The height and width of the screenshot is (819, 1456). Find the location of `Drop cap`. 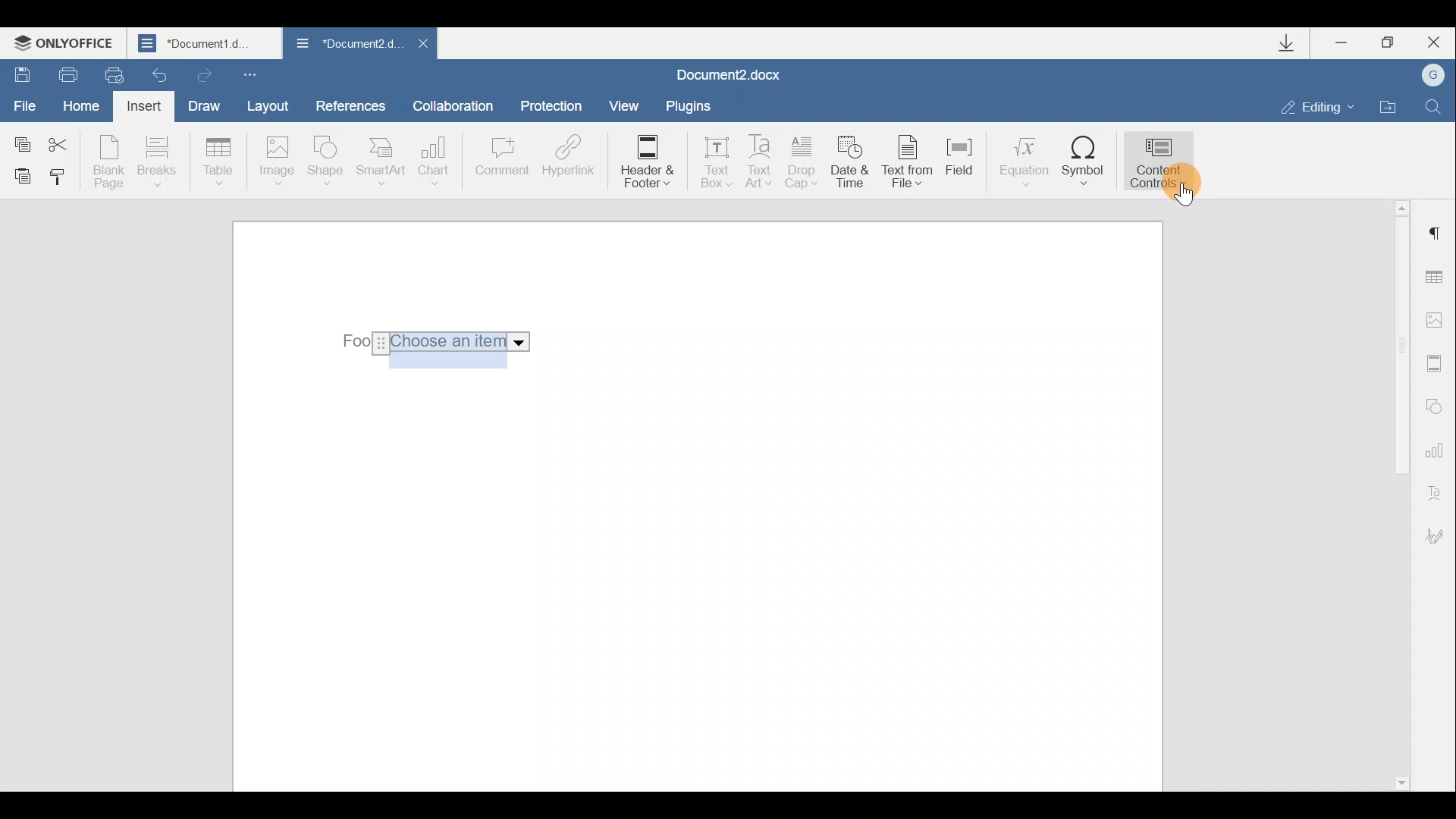

Drop cap is located at coordinates (802, 164).